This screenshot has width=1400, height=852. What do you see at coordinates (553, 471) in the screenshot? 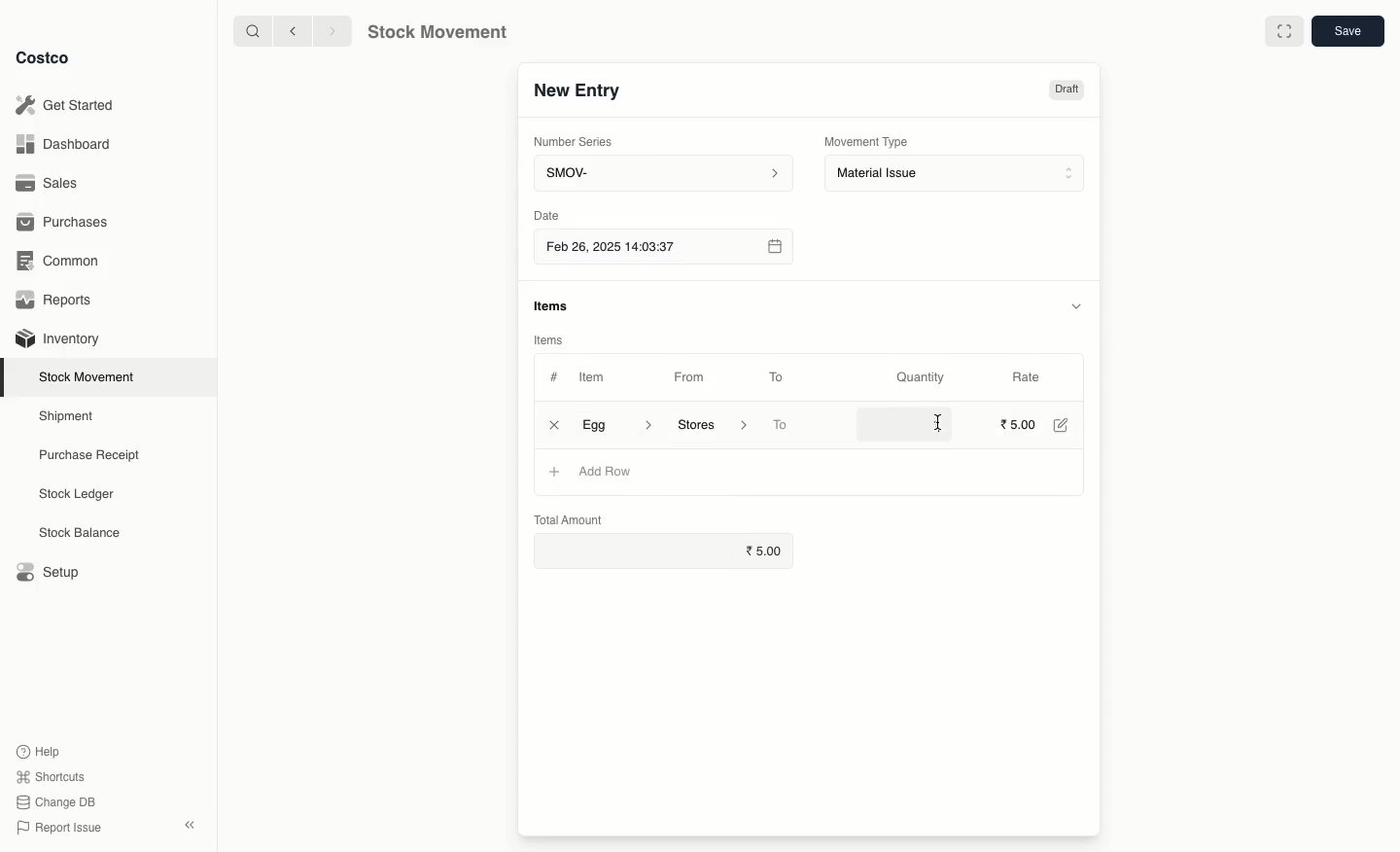
I see `+` at bounding box center [553, 471].